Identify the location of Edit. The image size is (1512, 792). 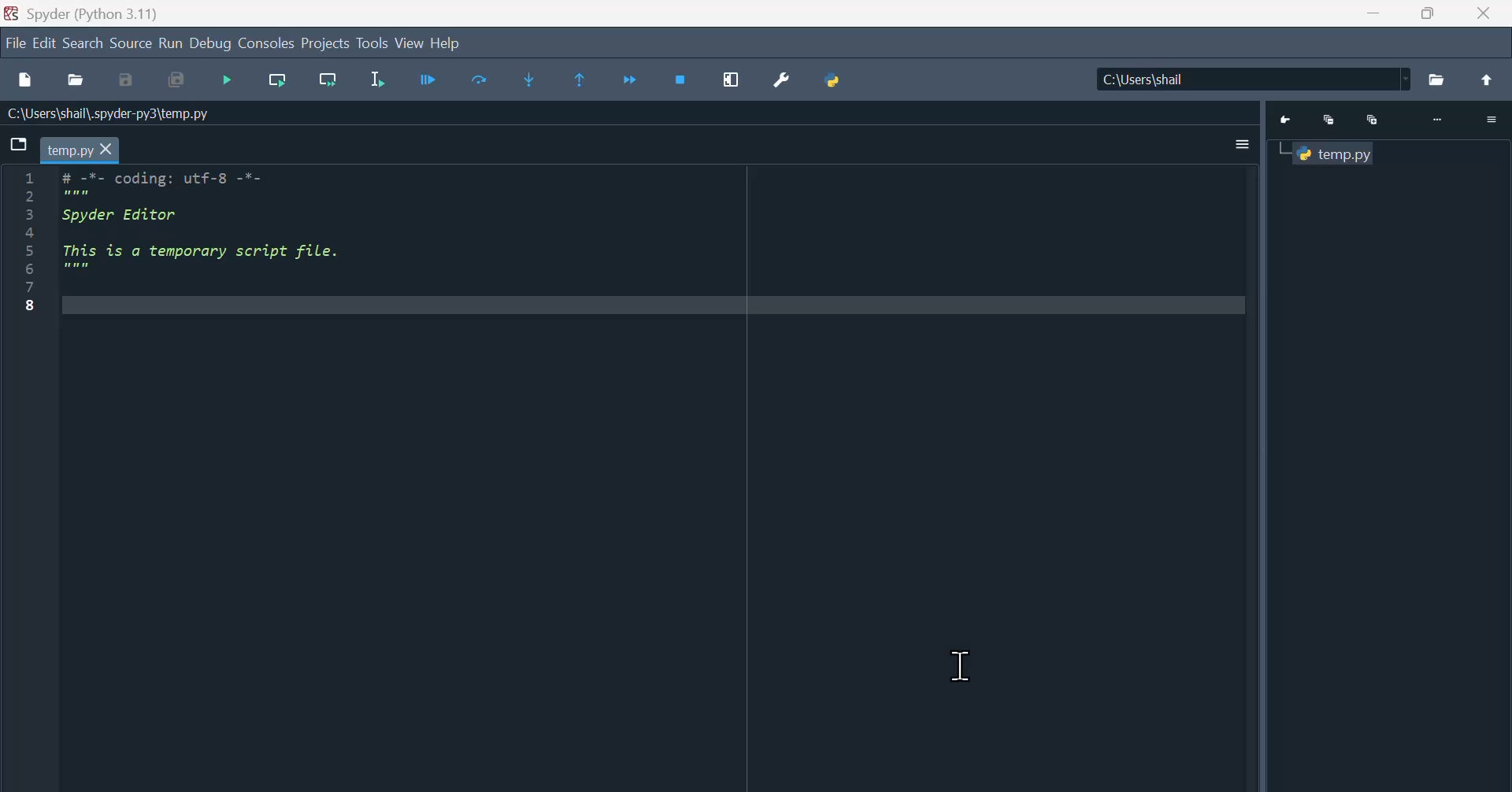
(46, 41).